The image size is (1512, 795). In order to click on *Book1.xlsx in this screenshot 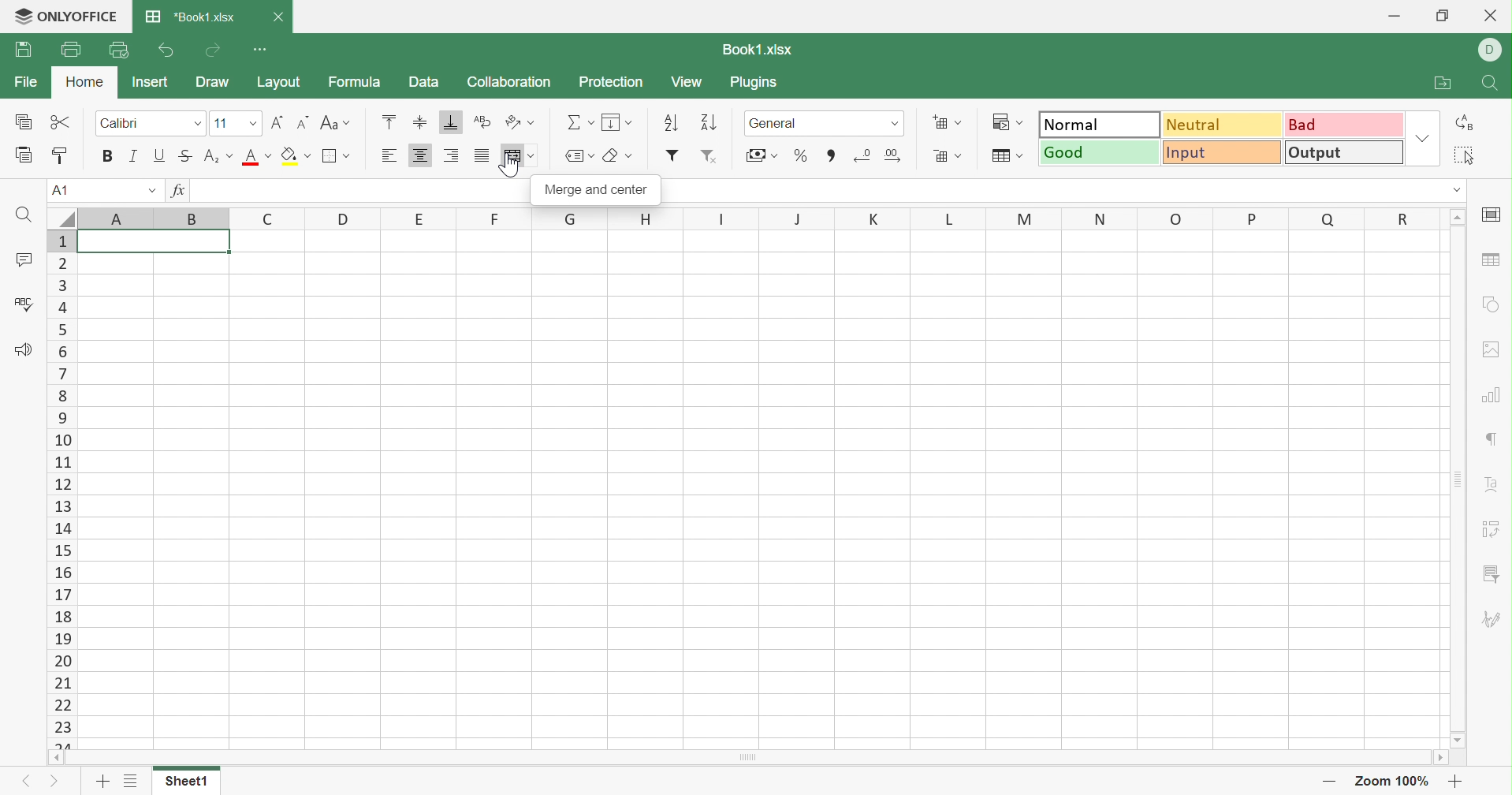, I will do `click(191, 17)`.